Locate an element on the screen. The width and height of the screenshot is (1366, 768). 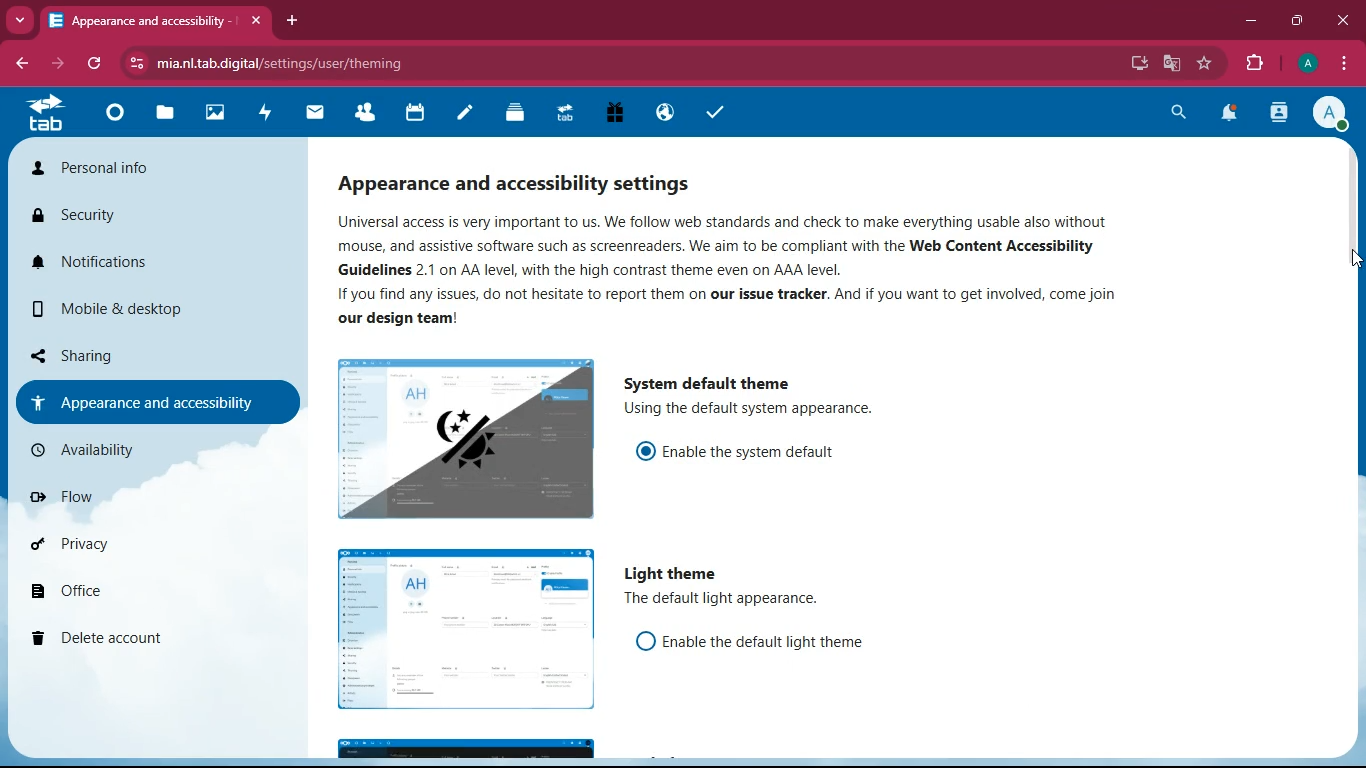
calendar is located at coordinates (412, 115).